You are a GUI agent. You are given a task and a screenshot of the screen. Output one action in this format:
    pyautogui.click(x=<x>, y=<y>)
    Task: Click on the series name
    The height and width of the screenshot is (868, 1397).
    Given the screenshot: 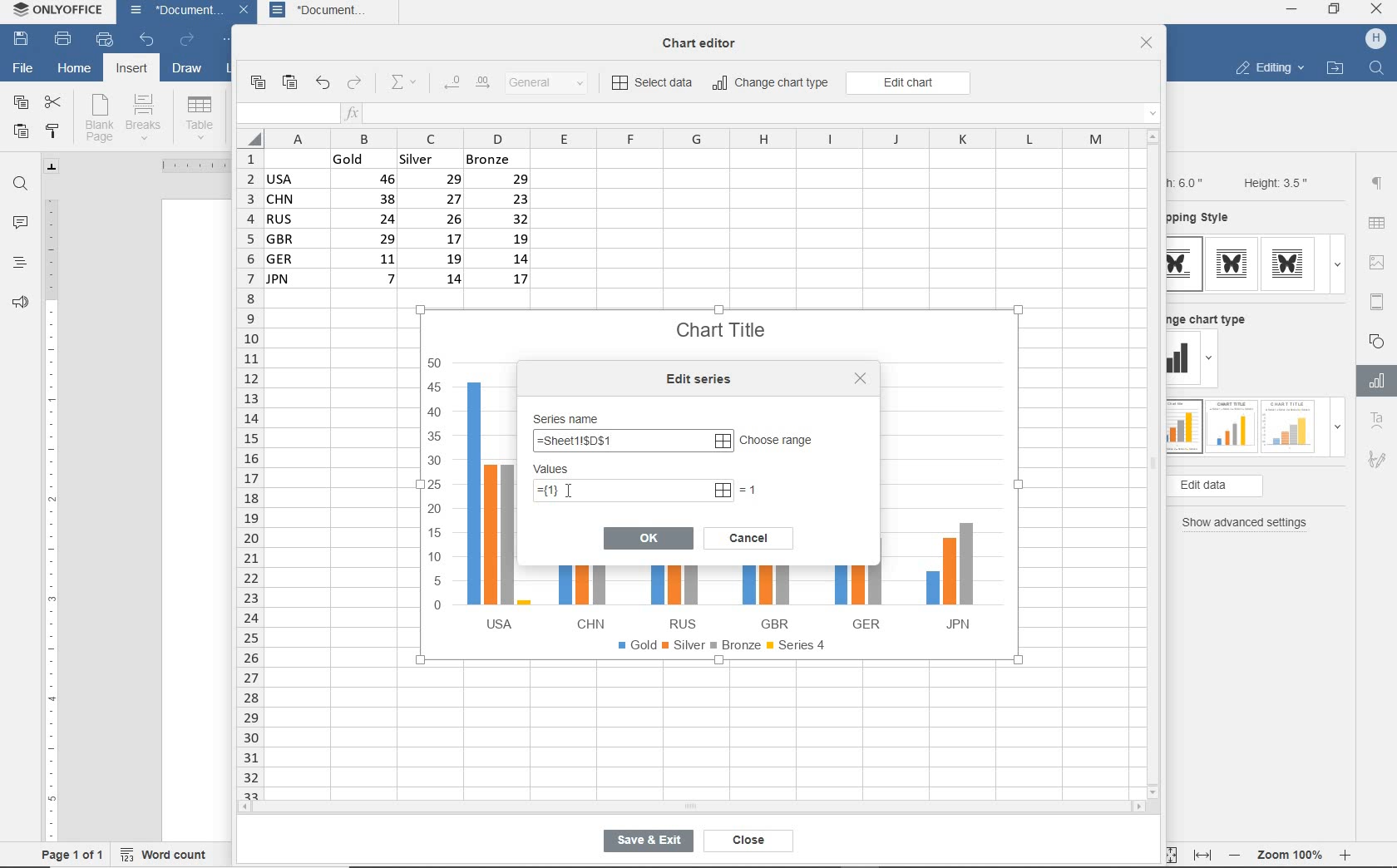 What is the action you would take?
    pyautogui.click(x=571, y=417)
    